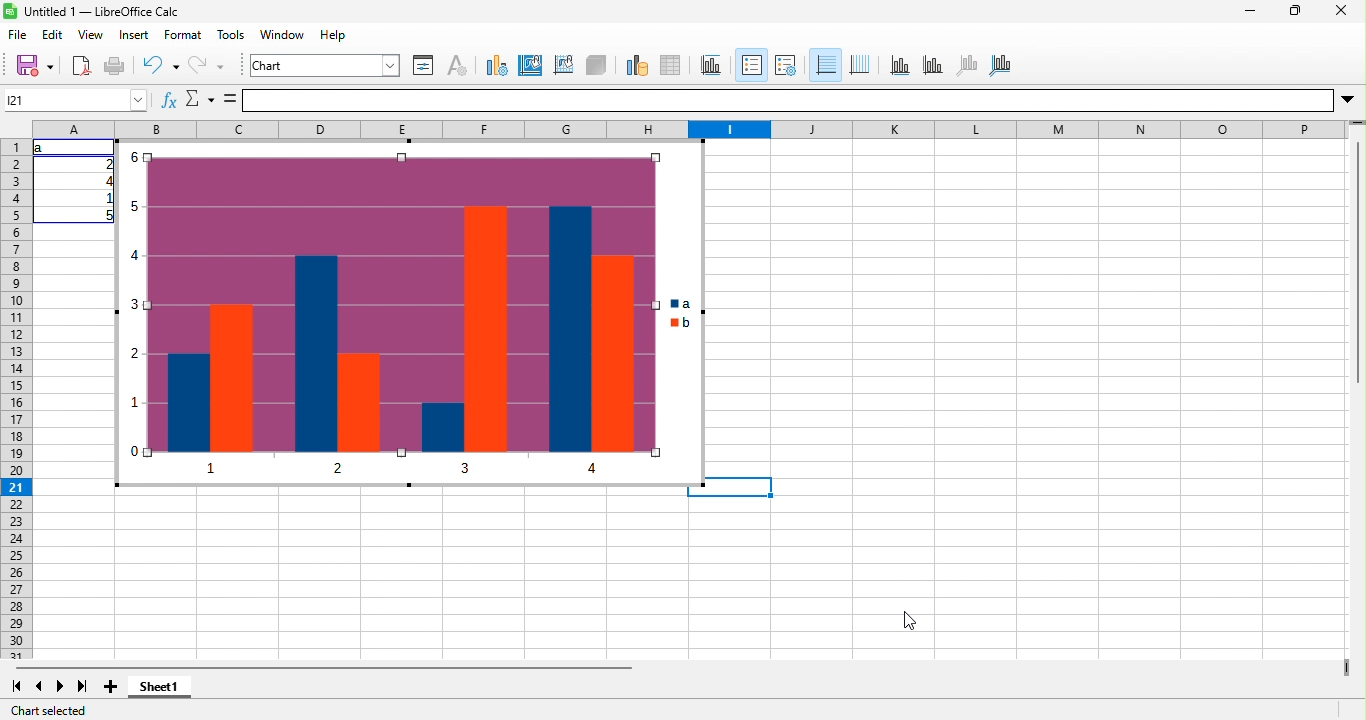  I want to click on edit, so click(53, 34).